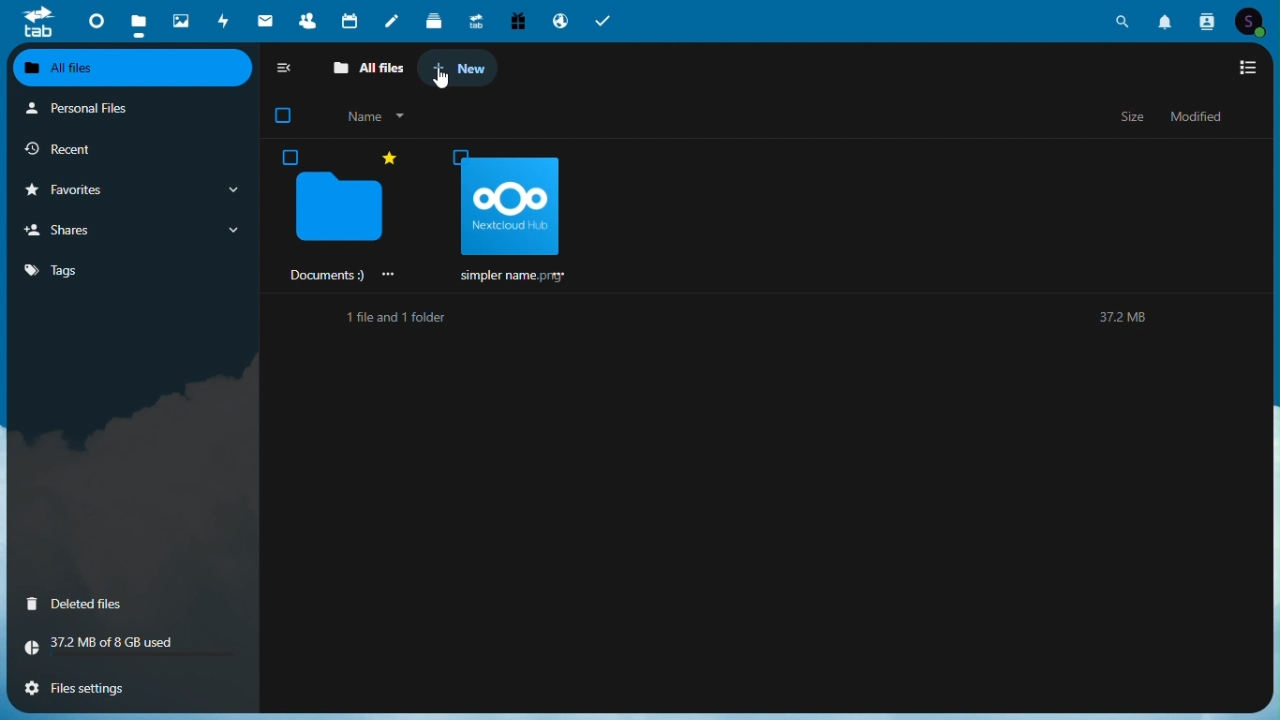 The width and height of the screenshot is (1280, 720). I want to click on Dashboard, so click(93, 22).